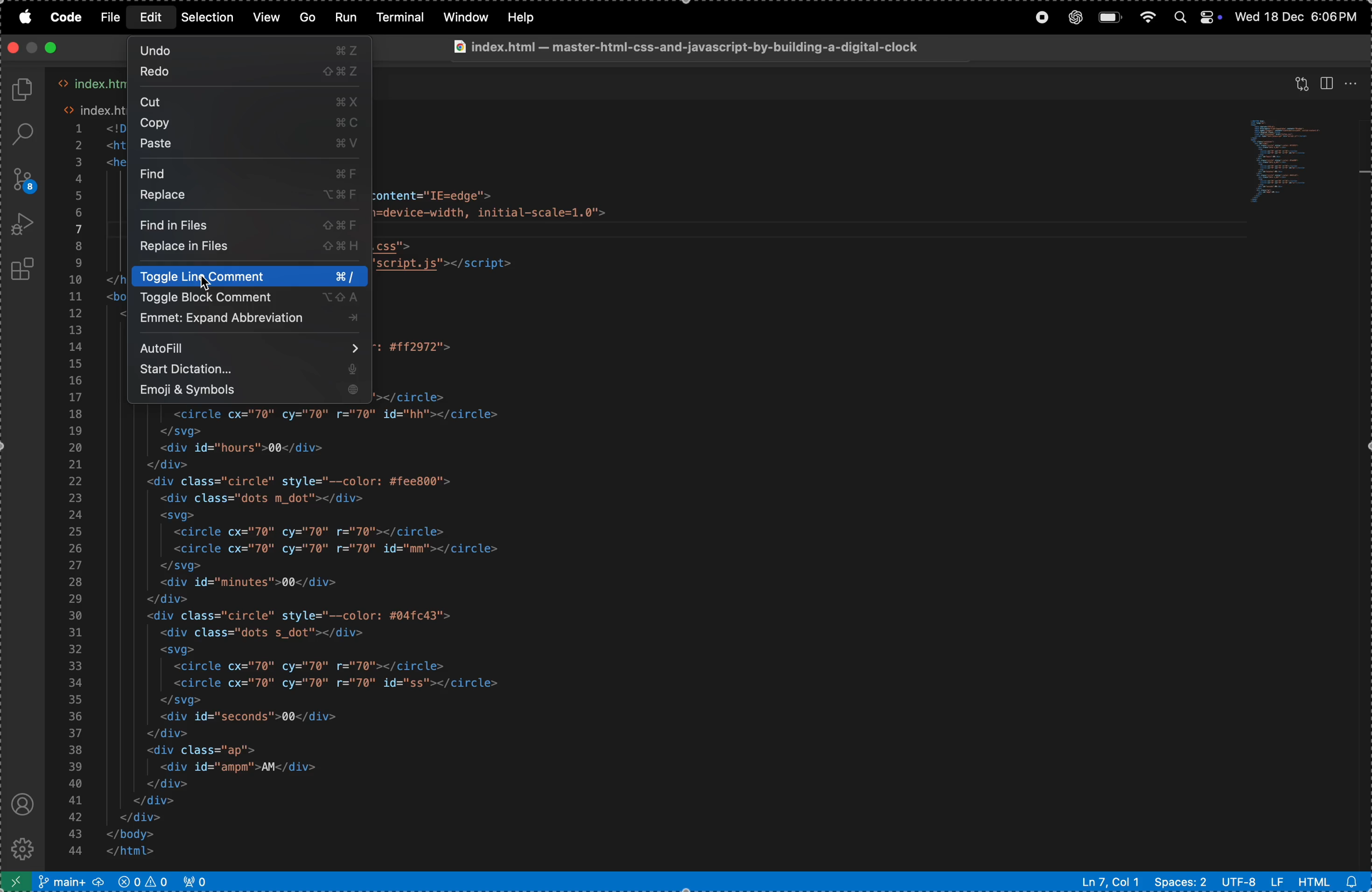  What do you see at coordinates (346, 17) in the screenshot?
I see `run` at bounding box center [346, 17].